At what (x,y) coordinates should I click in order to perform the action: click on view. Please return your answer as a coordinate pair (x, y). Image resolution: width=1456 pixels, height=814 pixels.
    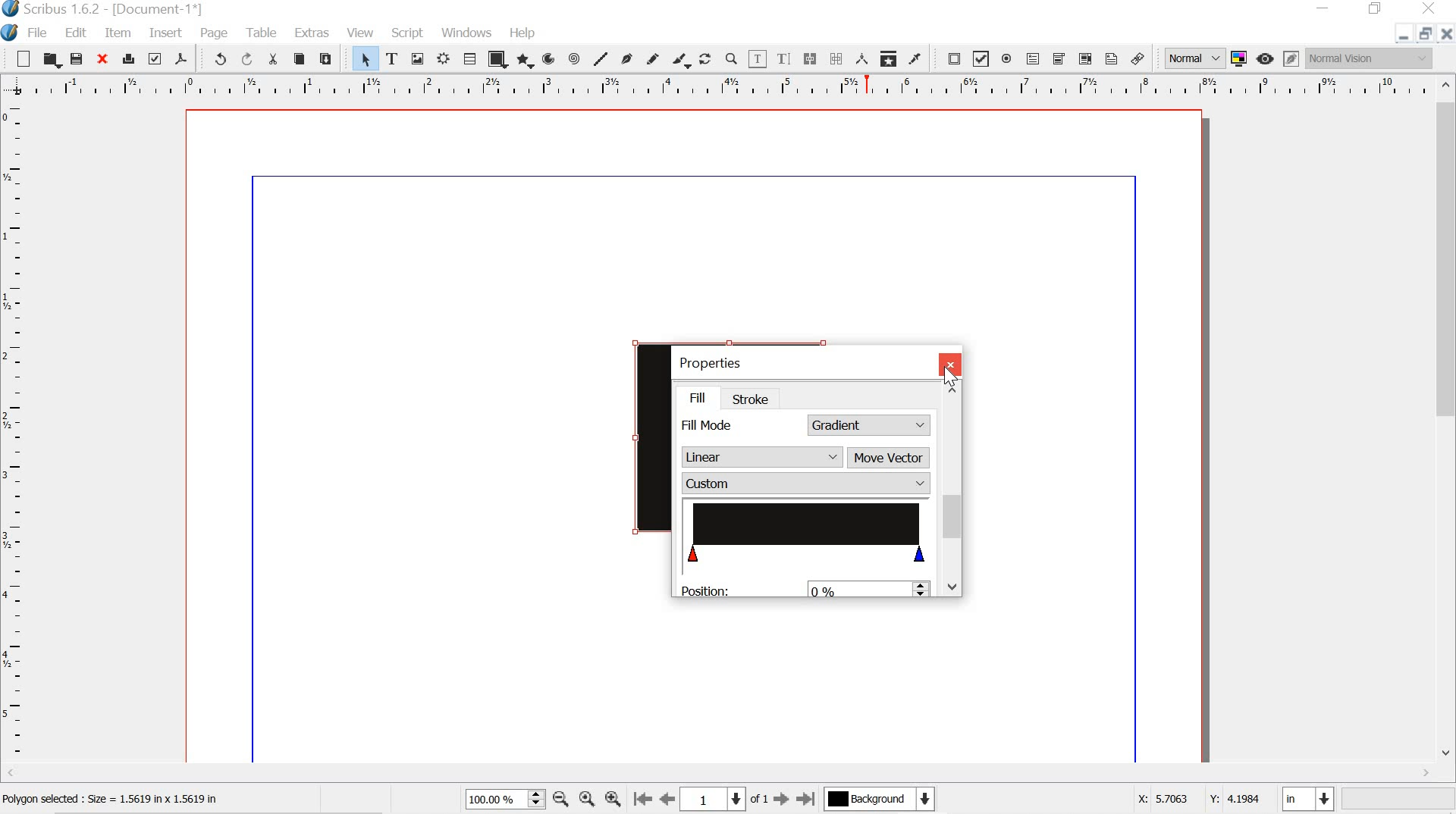
    Looking at the image, I should click on (362, 31).